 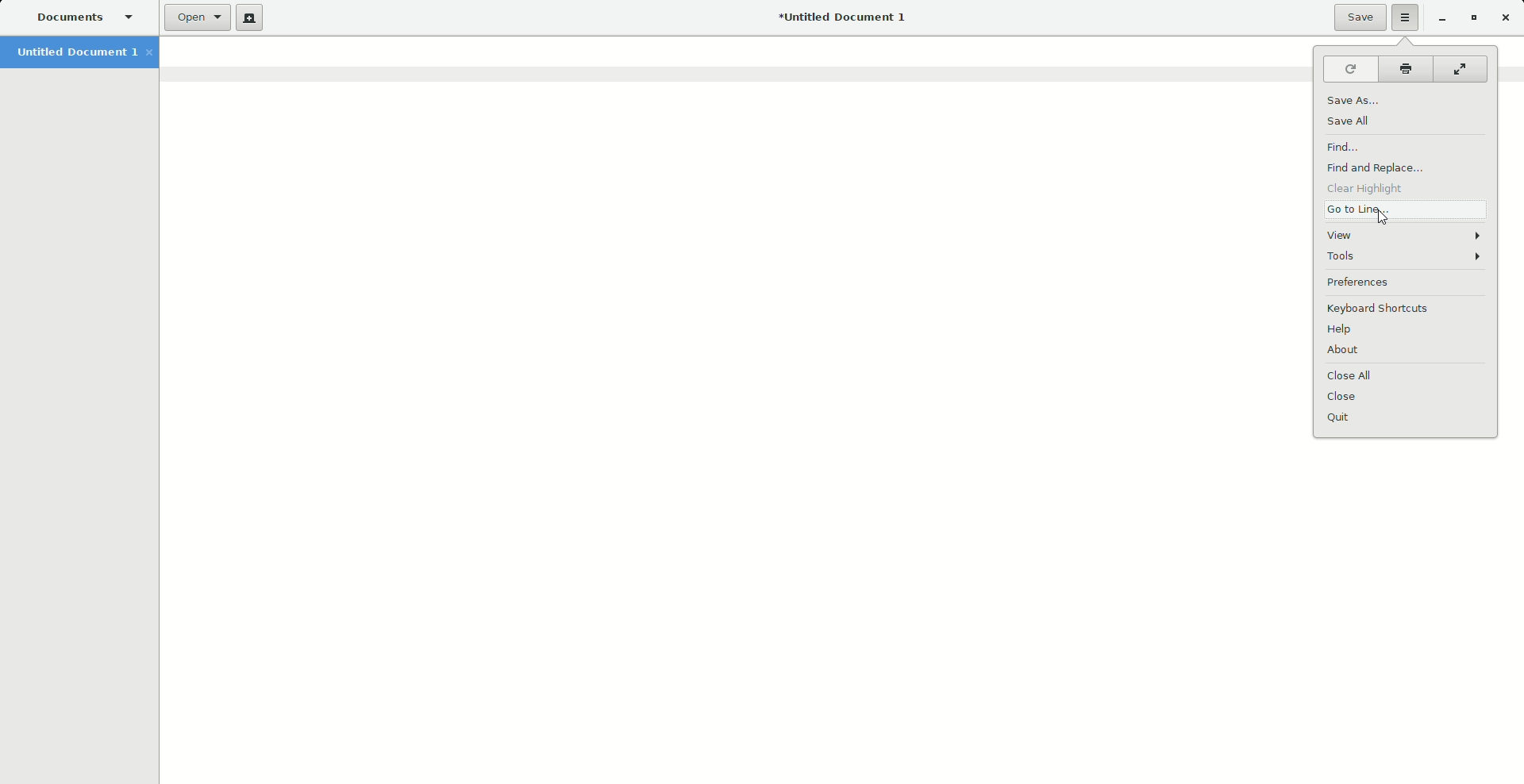 I want to click on Restore, so click(x=1472, y=18).